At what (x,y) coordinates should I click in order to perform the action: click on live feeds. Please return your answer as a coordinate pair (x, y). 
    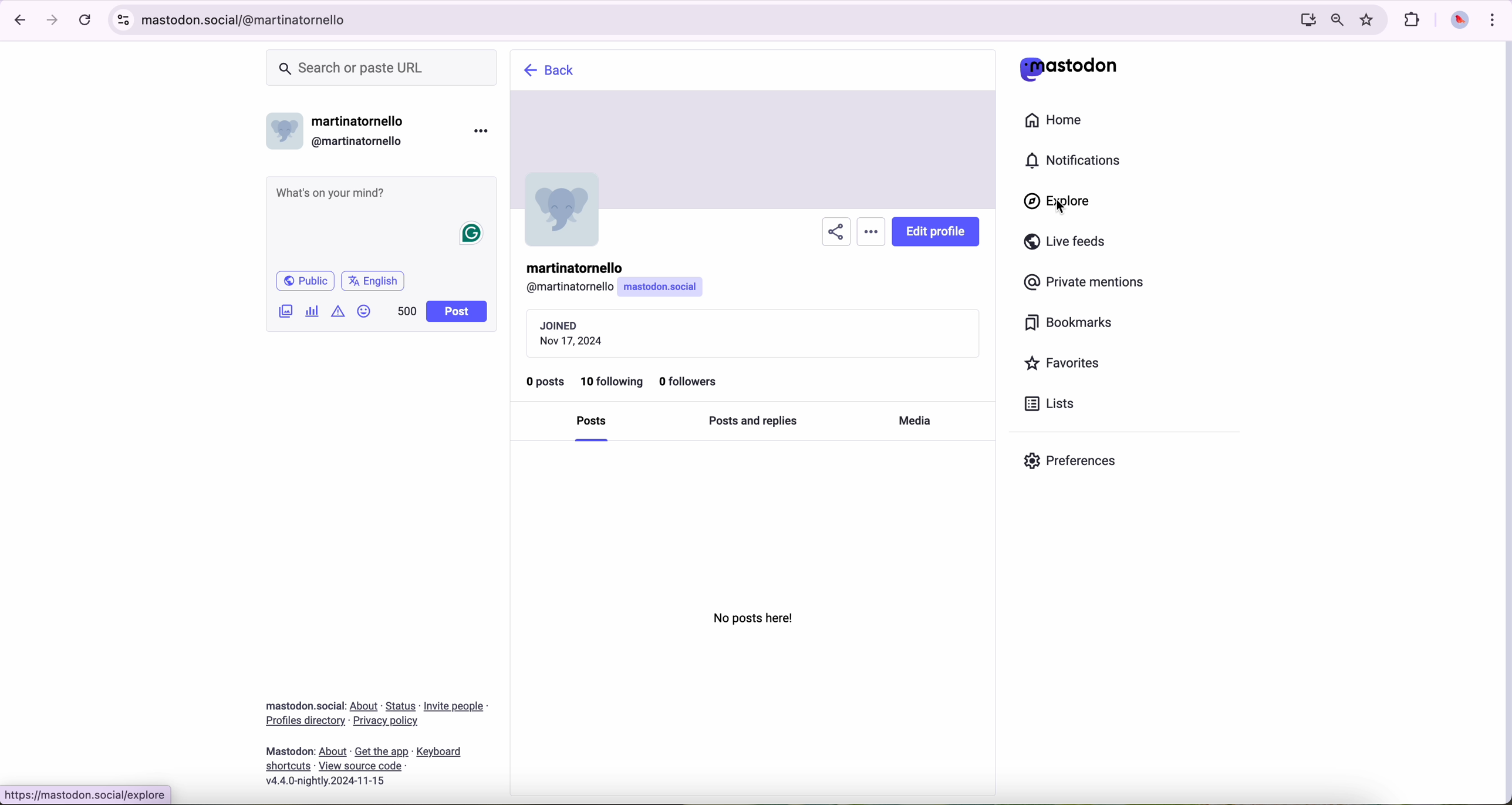
    Looking at the image, I should click on (1067, 242).